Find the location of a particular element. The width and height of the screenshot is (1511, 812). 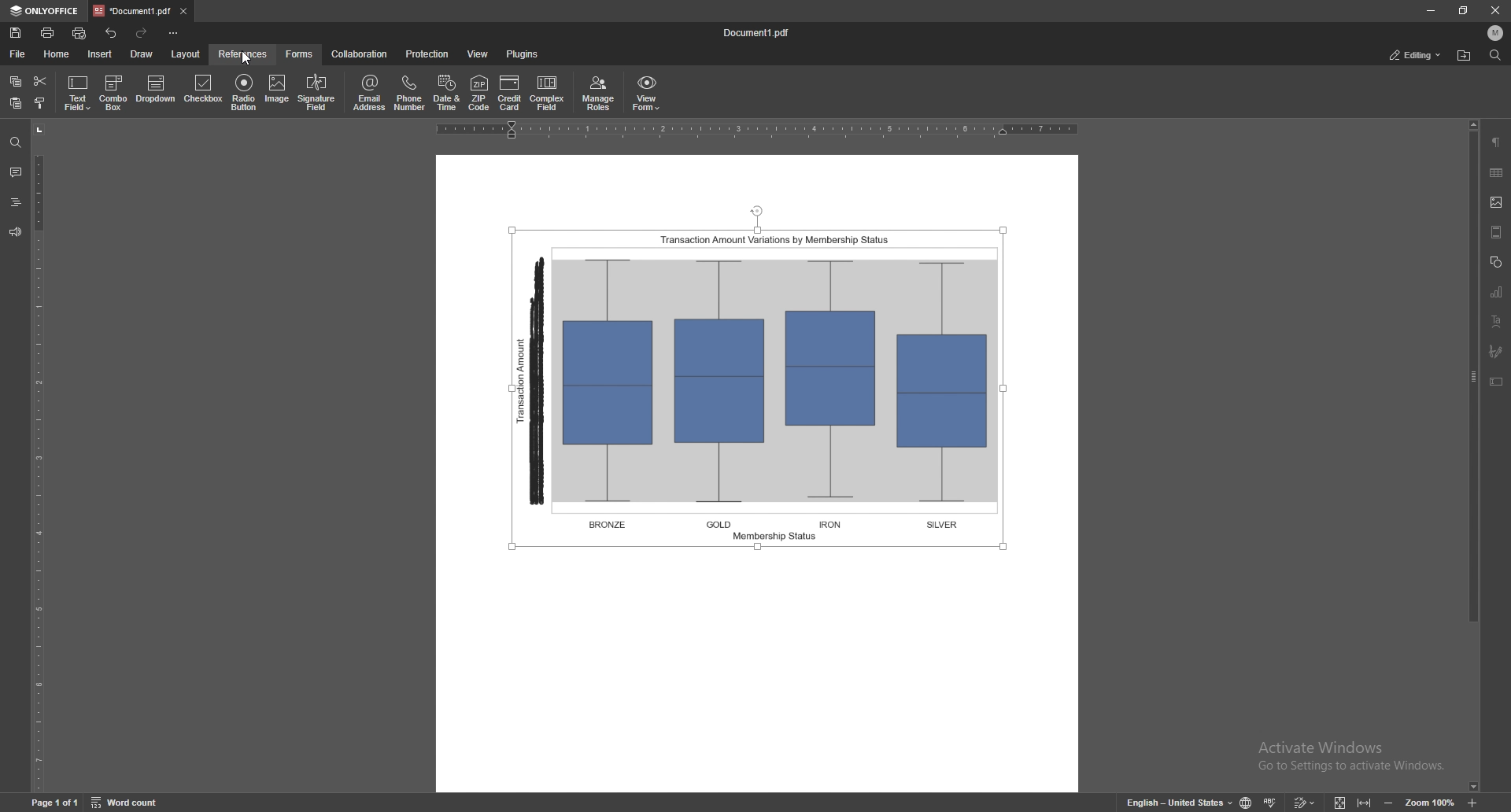

find is located at coordinates (16, 143).